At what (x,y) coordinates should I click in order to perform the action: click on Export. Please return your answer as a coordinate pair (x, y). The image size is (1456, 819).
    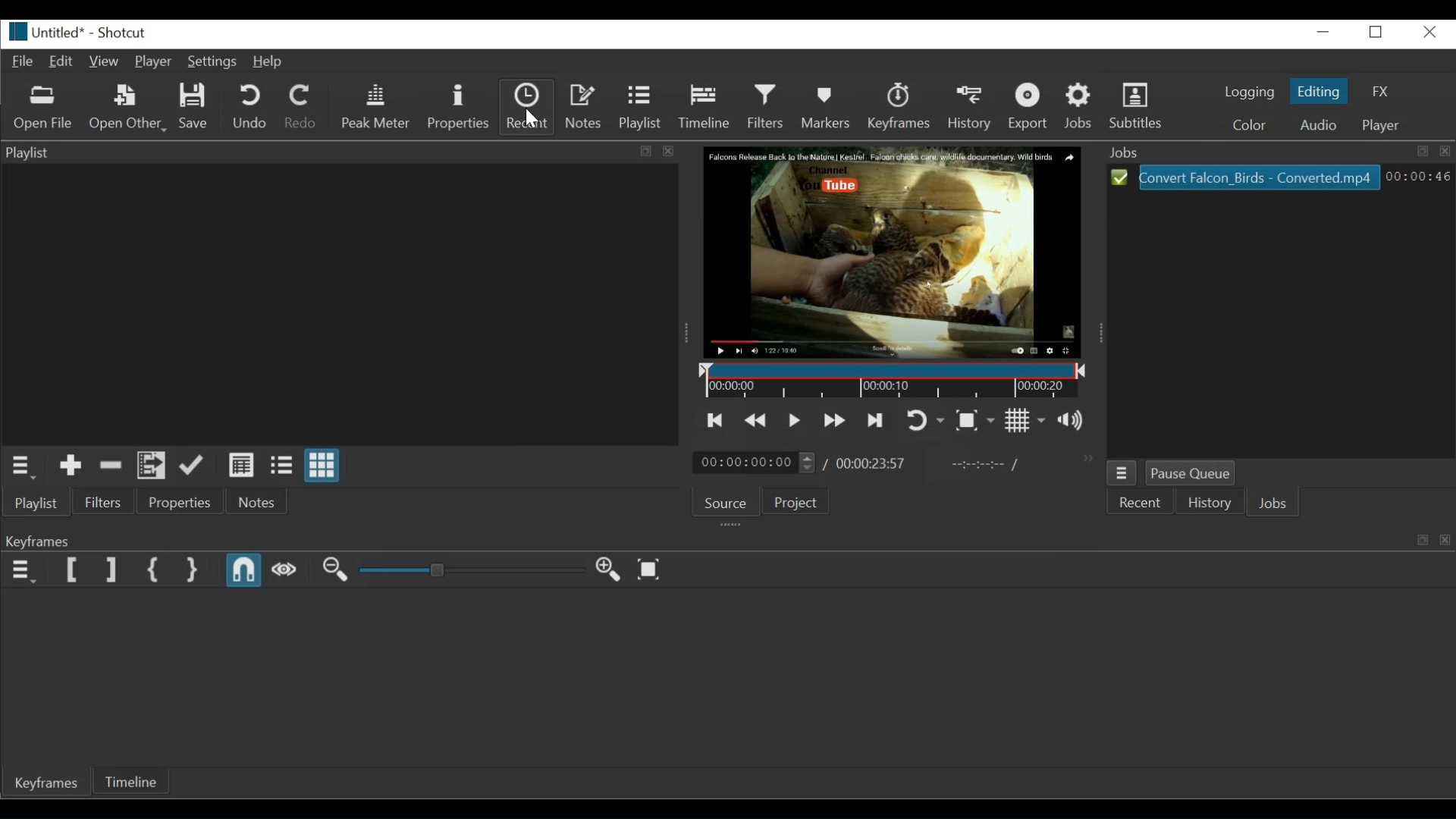
    Looking at the image, I should click on (1031, 108).